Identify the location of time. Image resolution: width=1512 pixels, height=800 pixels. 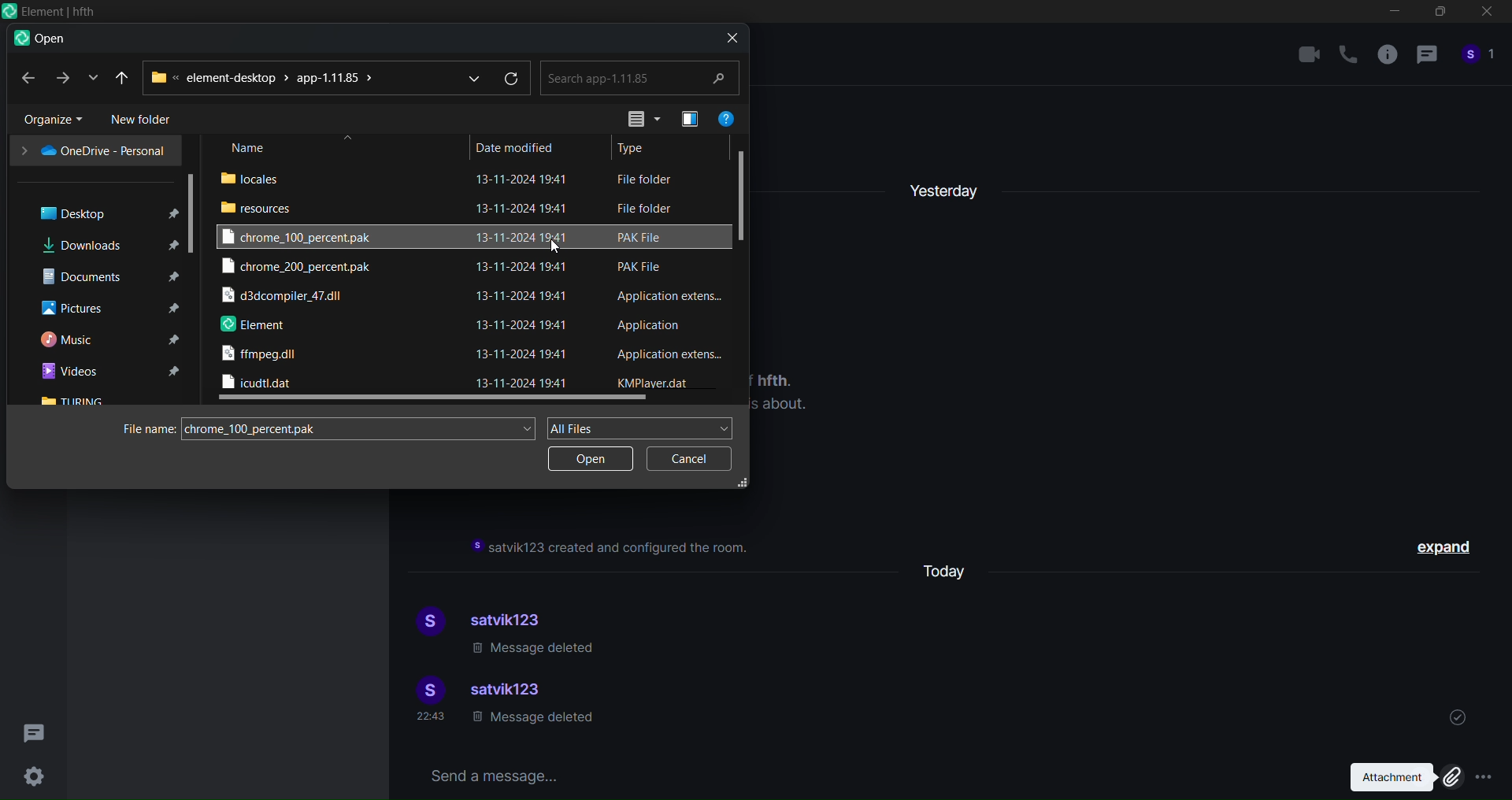
(432, 717).